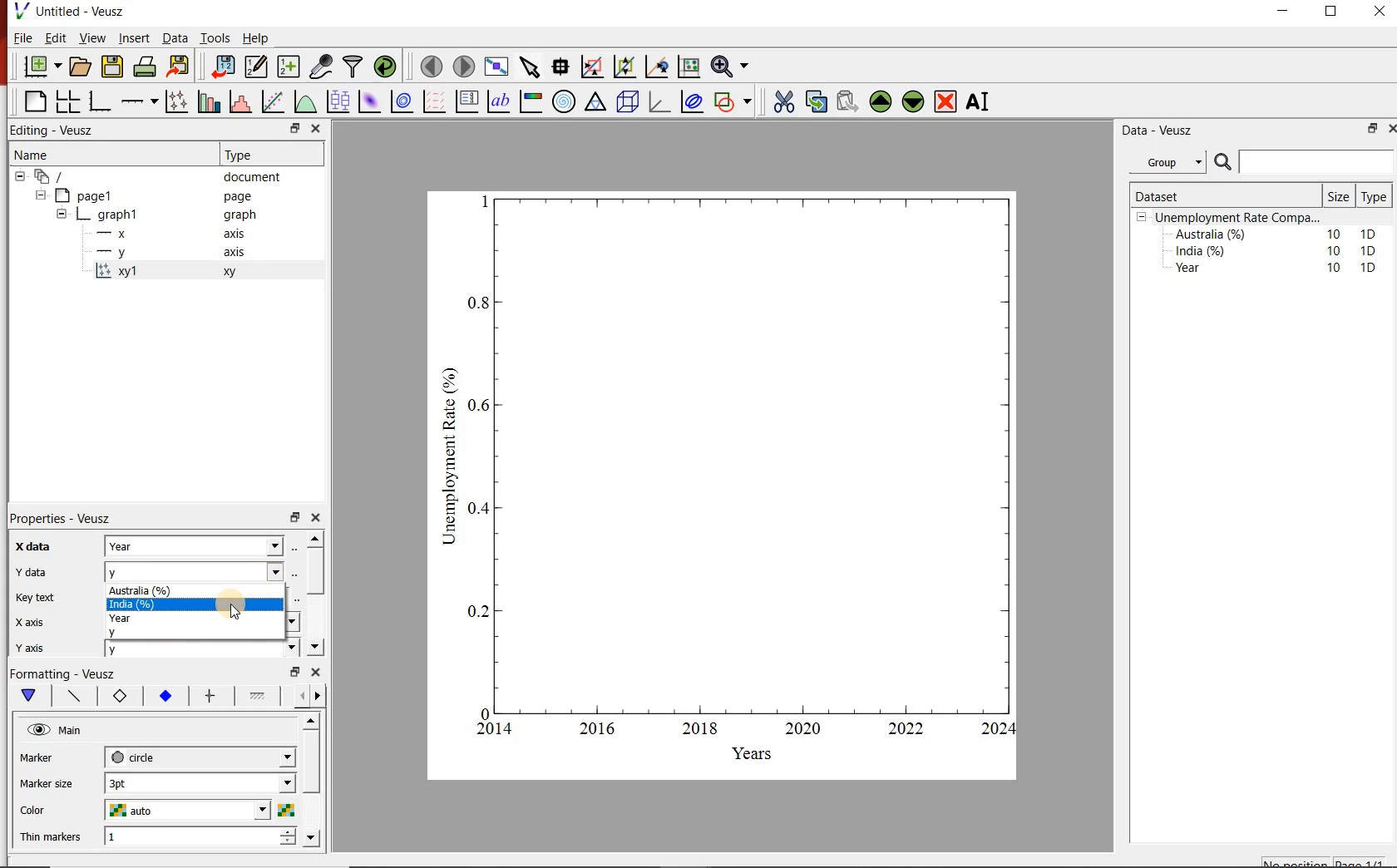 The image size is (1397, 868). I want to click on more left, so click(299, 695).